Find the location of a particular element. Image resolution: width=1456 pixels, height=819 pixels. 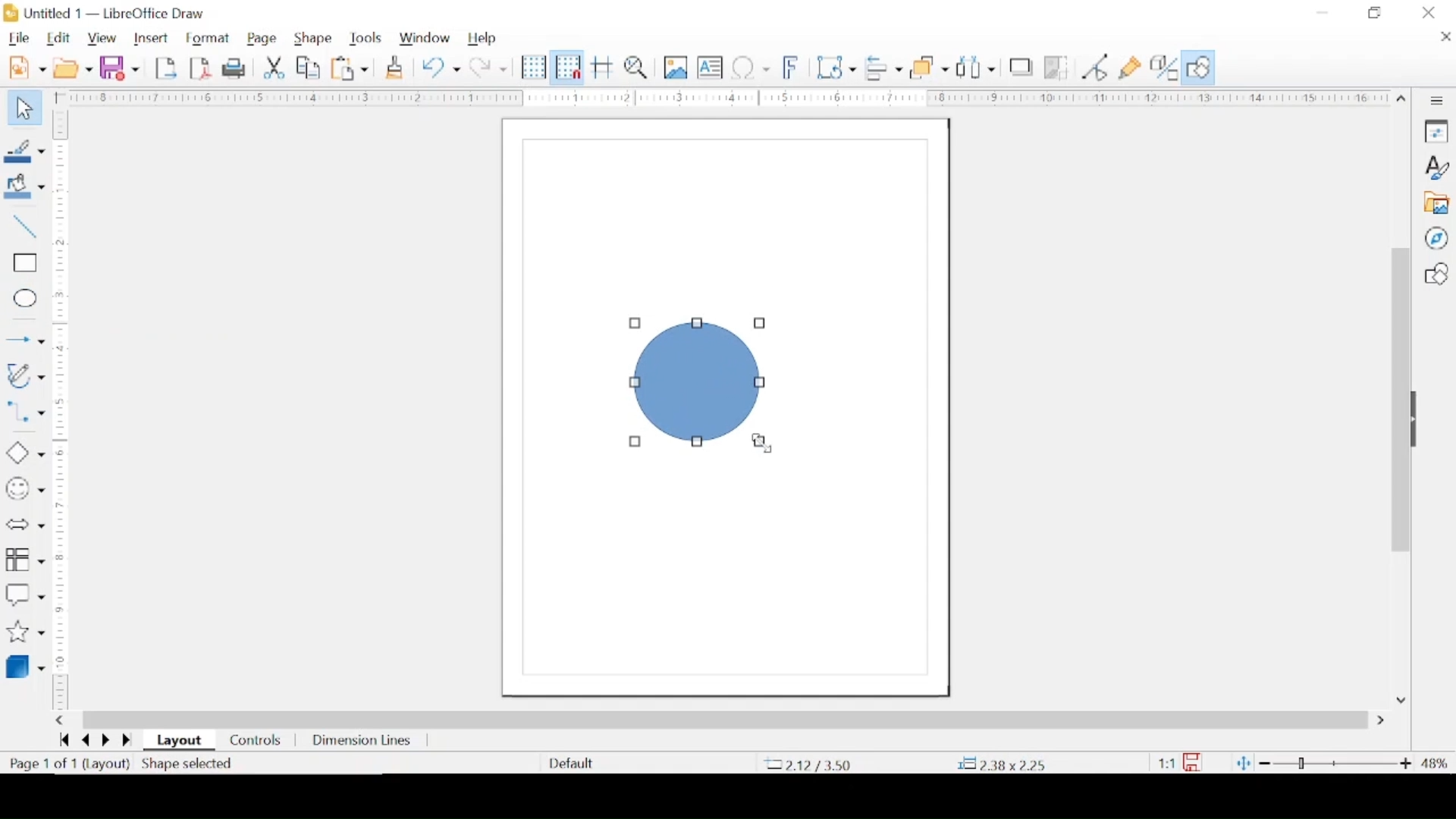

insert is located at coordinates (154, 38).